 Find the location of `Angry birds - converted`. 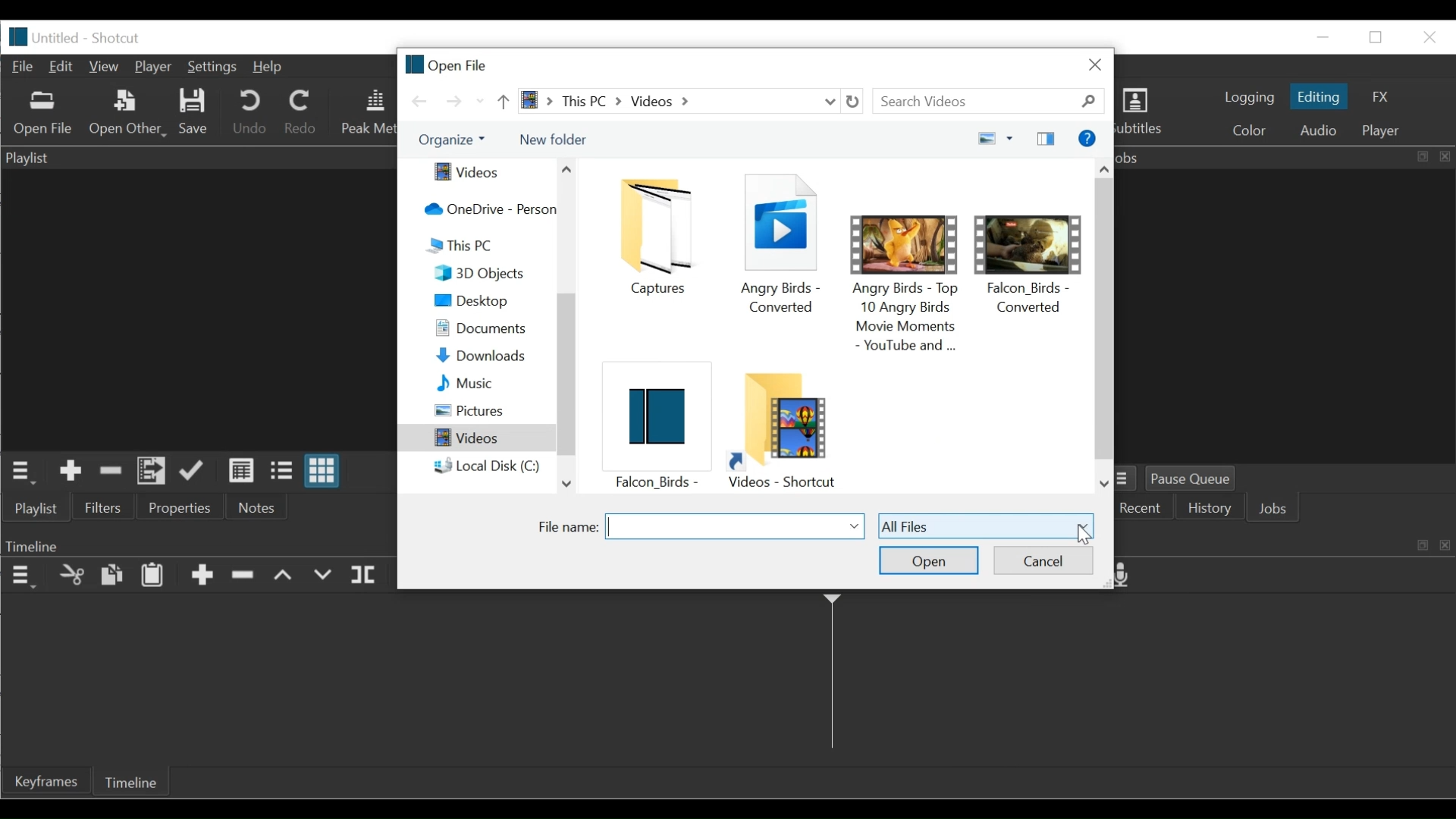

Angry birds - converted is located at coordinates (783, 242).